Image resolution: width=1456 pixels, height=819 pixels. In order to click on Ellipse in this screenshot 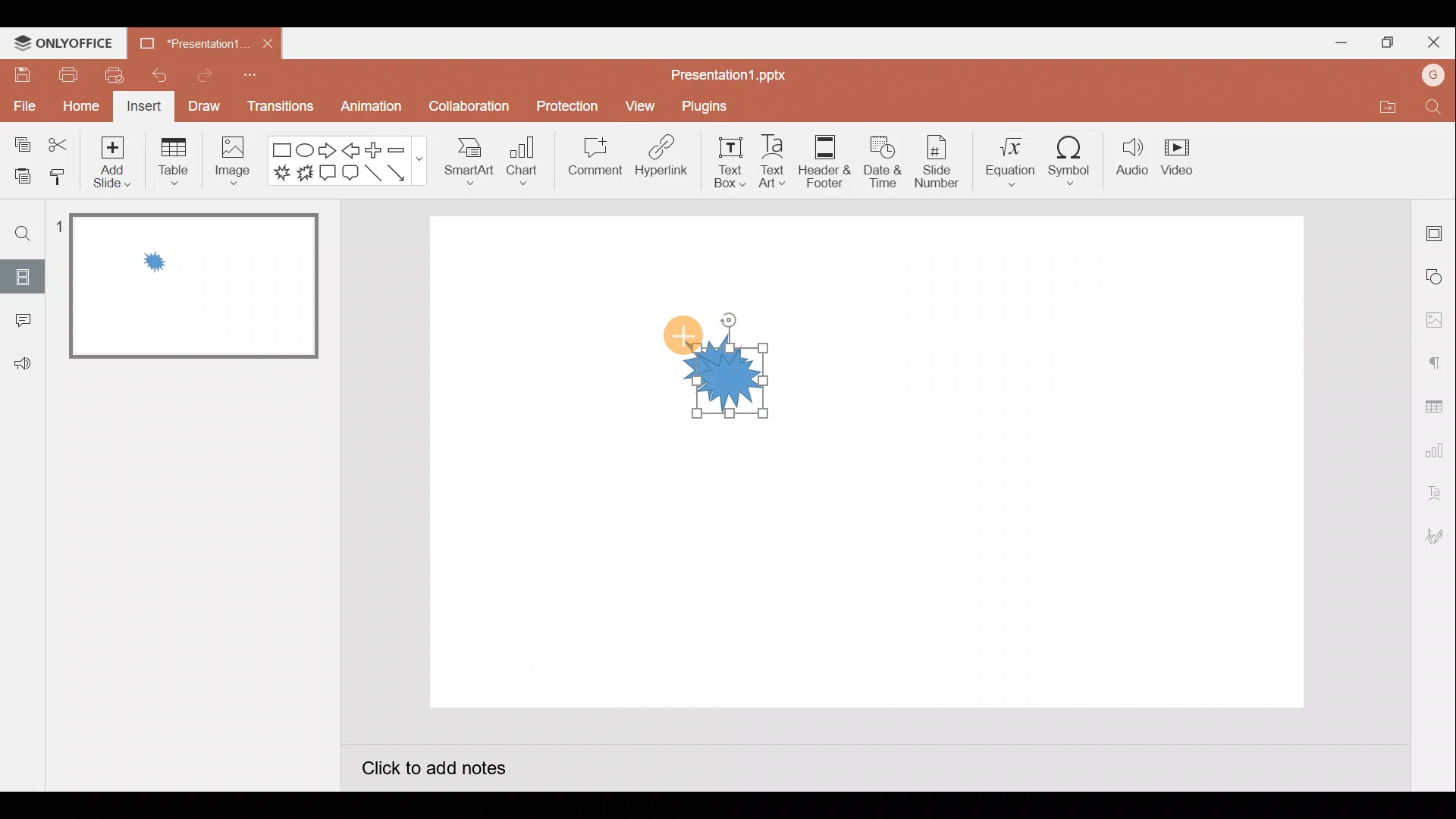, I will do `click(308, 151)`.